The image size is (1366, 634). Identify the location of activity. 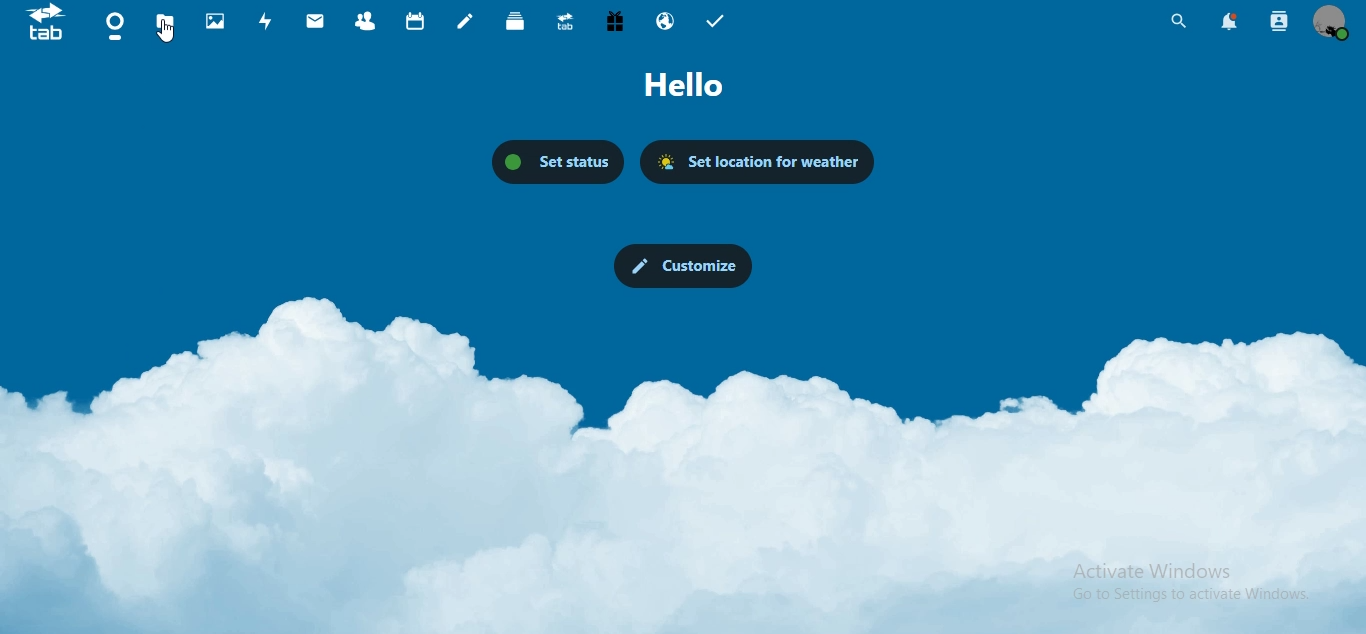
(265, 19).